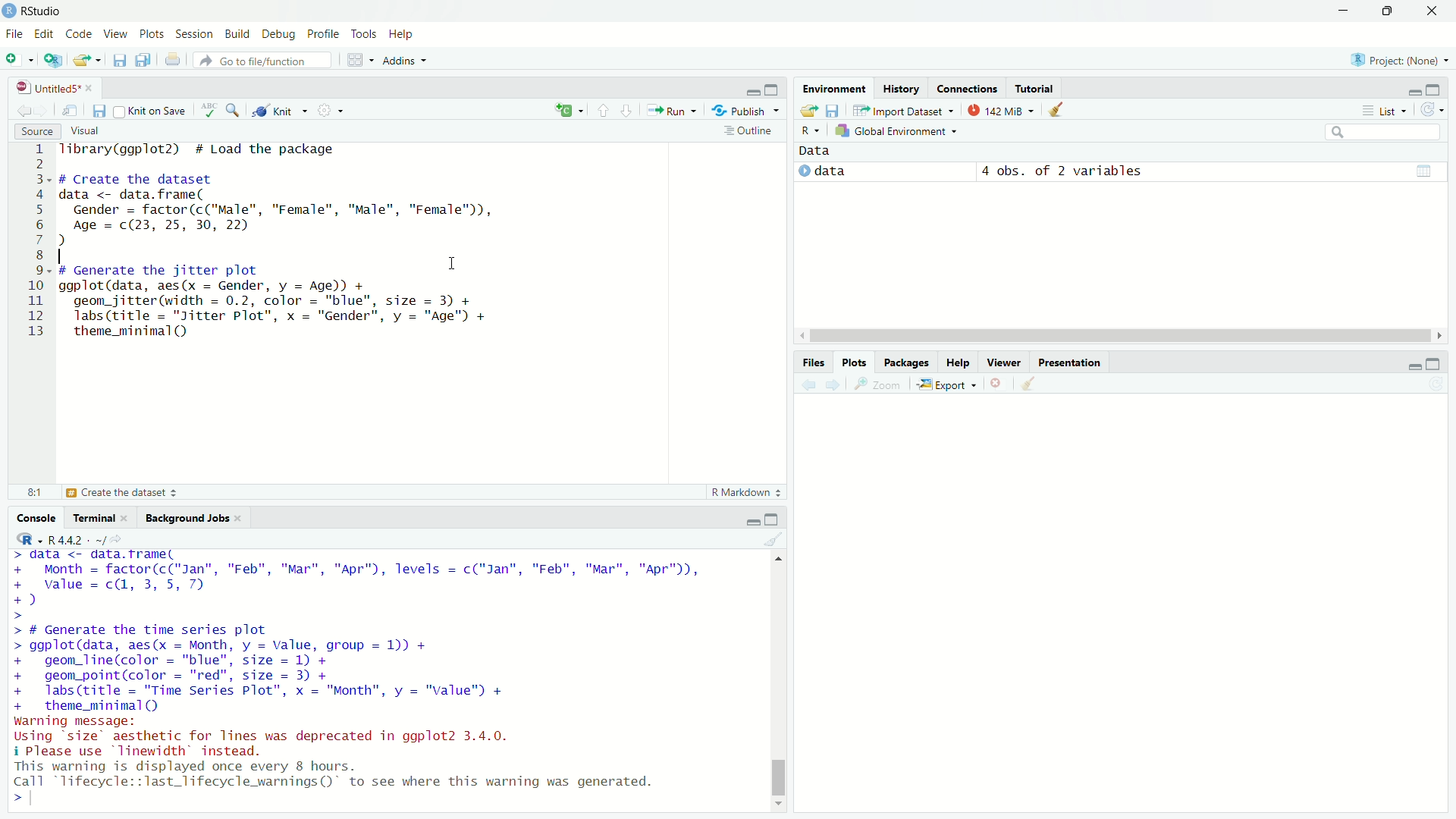 The height and width of the screenshot is (819, 1456). Describe the element at coordinates (834, 111) in the screenshot. I see `save workspace as` at that location.